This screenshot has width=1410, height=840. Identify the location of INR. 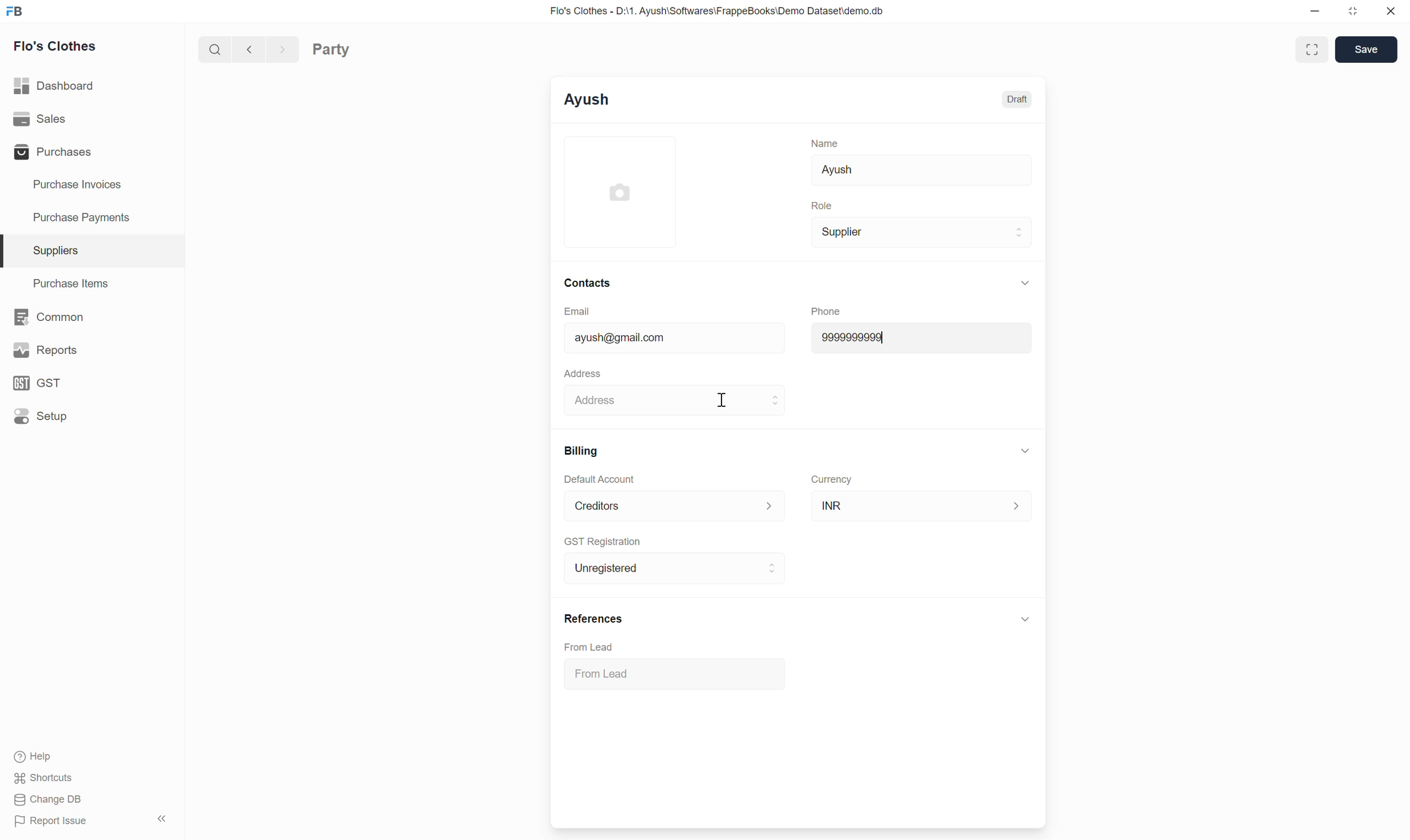
(922, 505).